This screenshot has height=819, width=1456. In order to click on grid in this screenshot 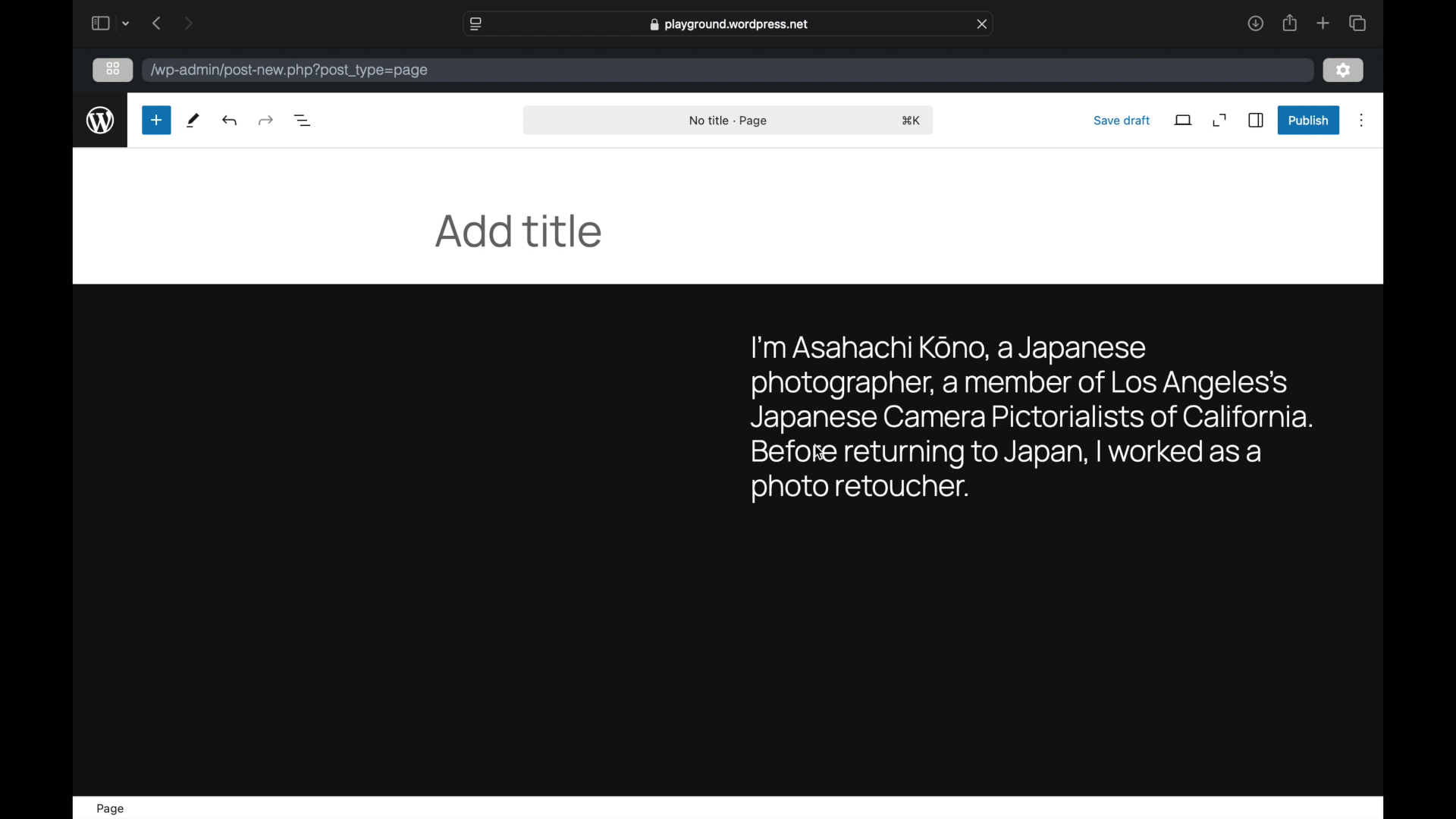, I will do `click(112, 68)`.